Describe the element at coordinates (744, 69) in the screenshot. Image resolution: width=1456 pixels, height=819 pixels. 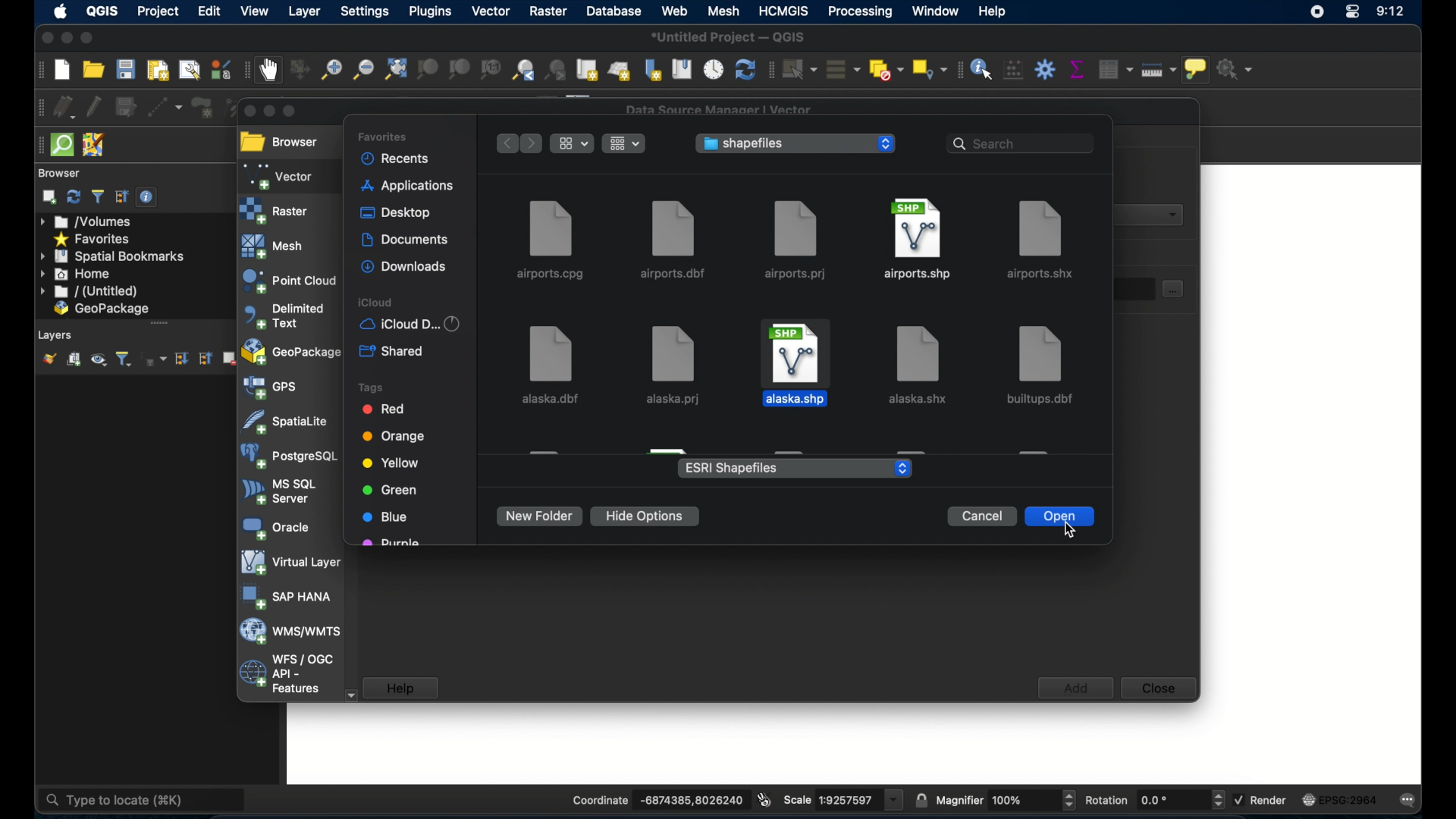
I see `refresh` at that location.